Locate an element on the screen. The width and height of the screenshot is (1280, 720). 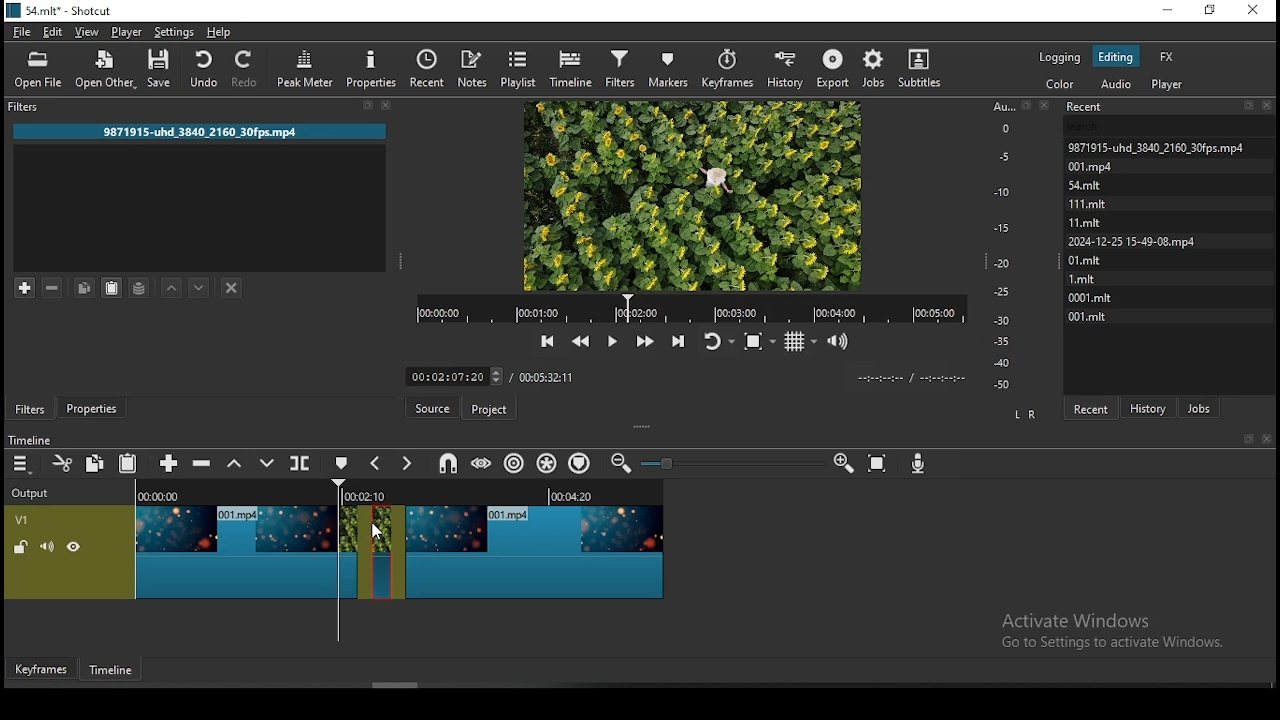
view is located at coordinates (87, 33).